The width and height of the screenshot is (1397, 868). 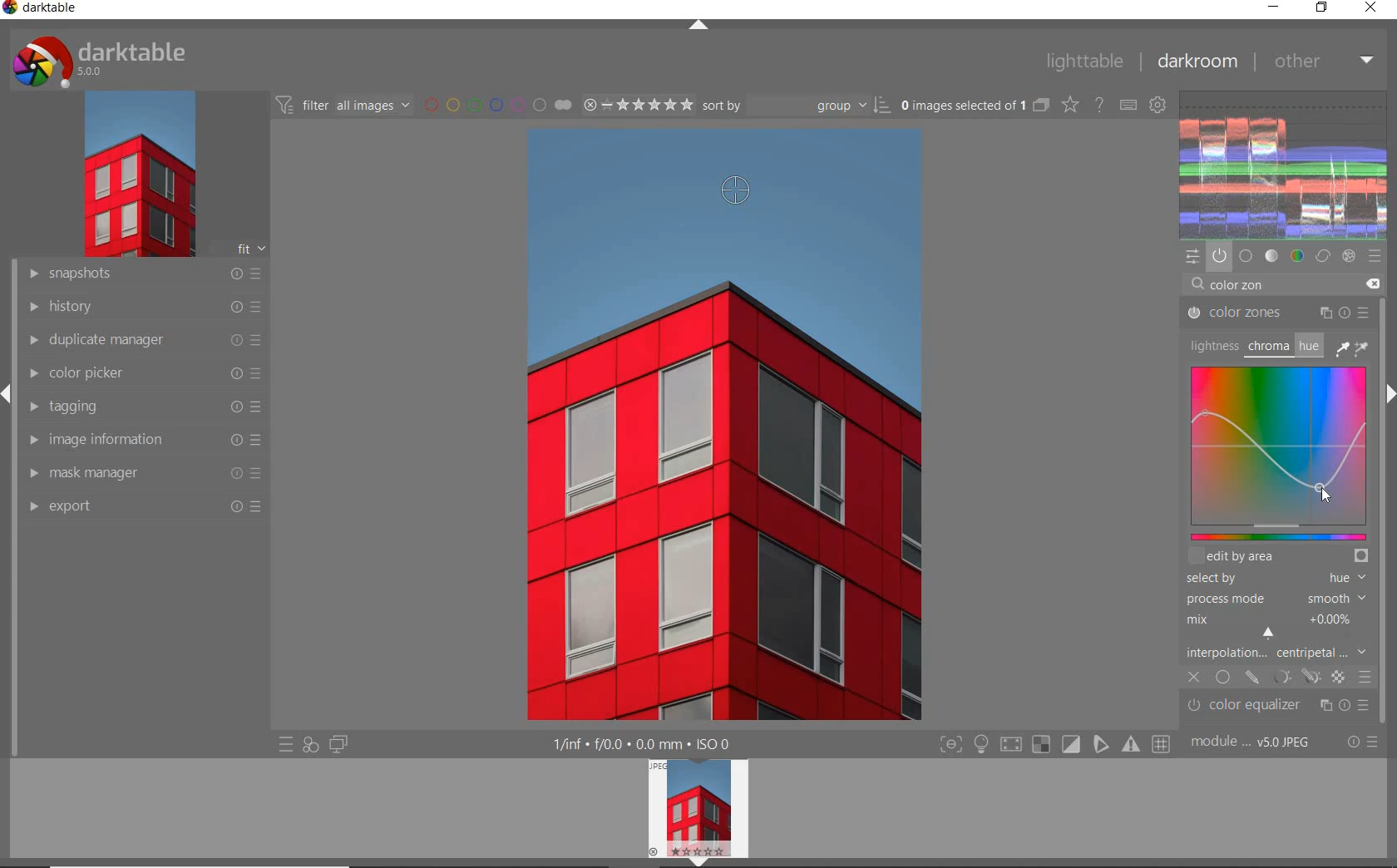 What do you see at coordinates (497, 105) in the screenshot?
I see `filter by image color label` at bounding box center [497, 105].